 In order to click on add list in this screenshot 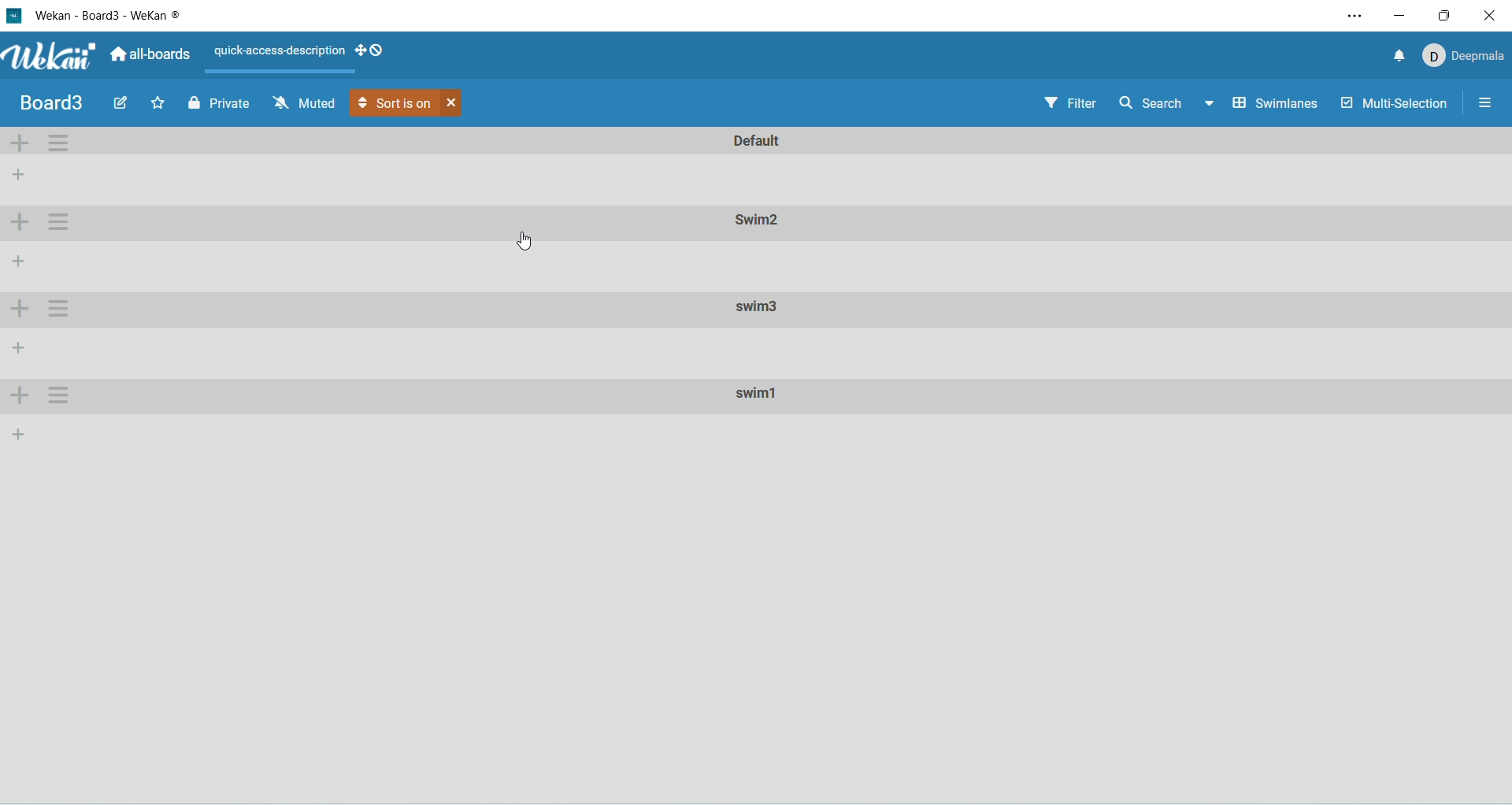, I will do `click(20, 172)`.